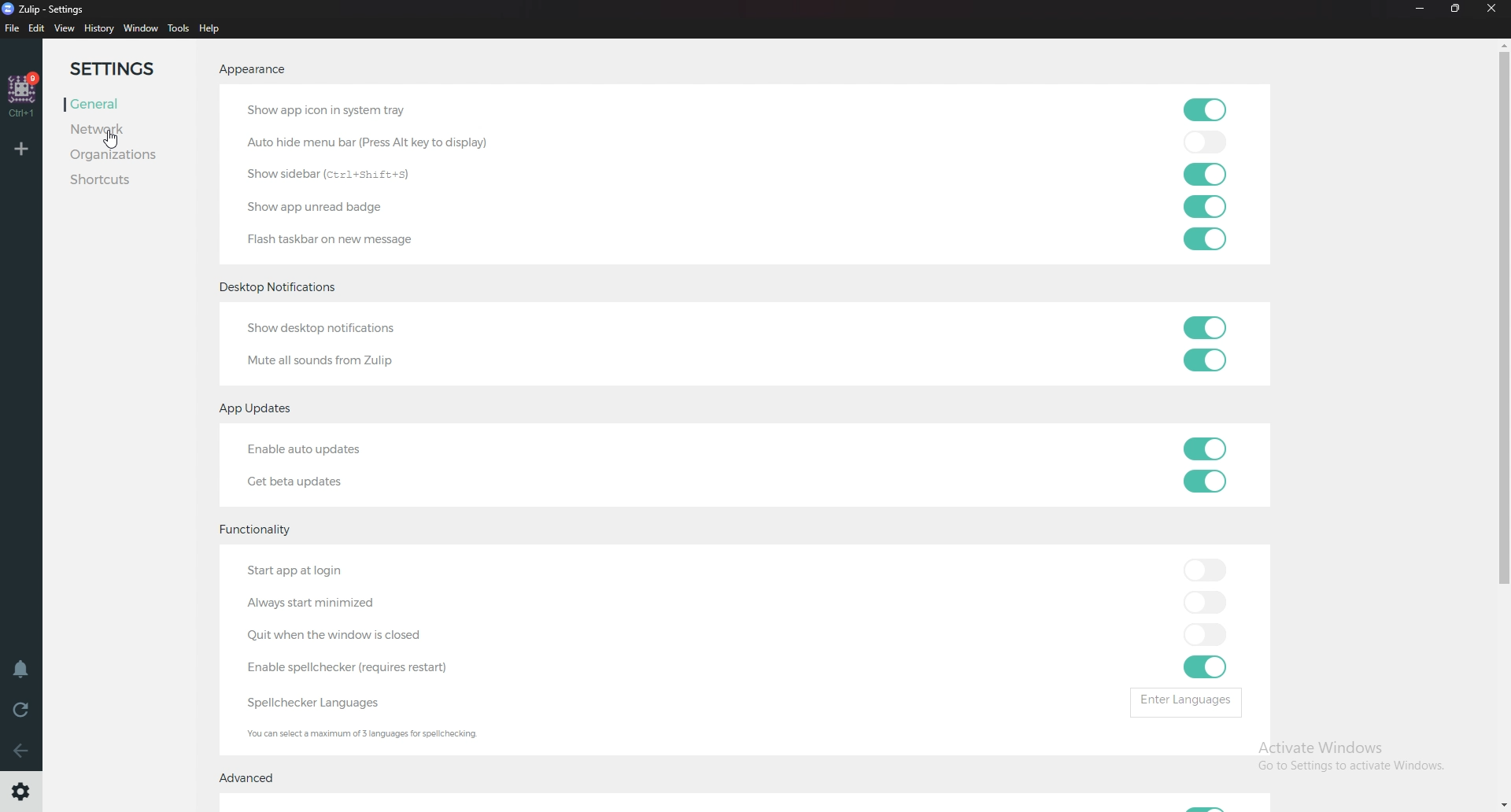 This screenshot has height=812, width=1511. Describe the element at coordinates (210, 30) in the screenshot. I see `help` at that location.